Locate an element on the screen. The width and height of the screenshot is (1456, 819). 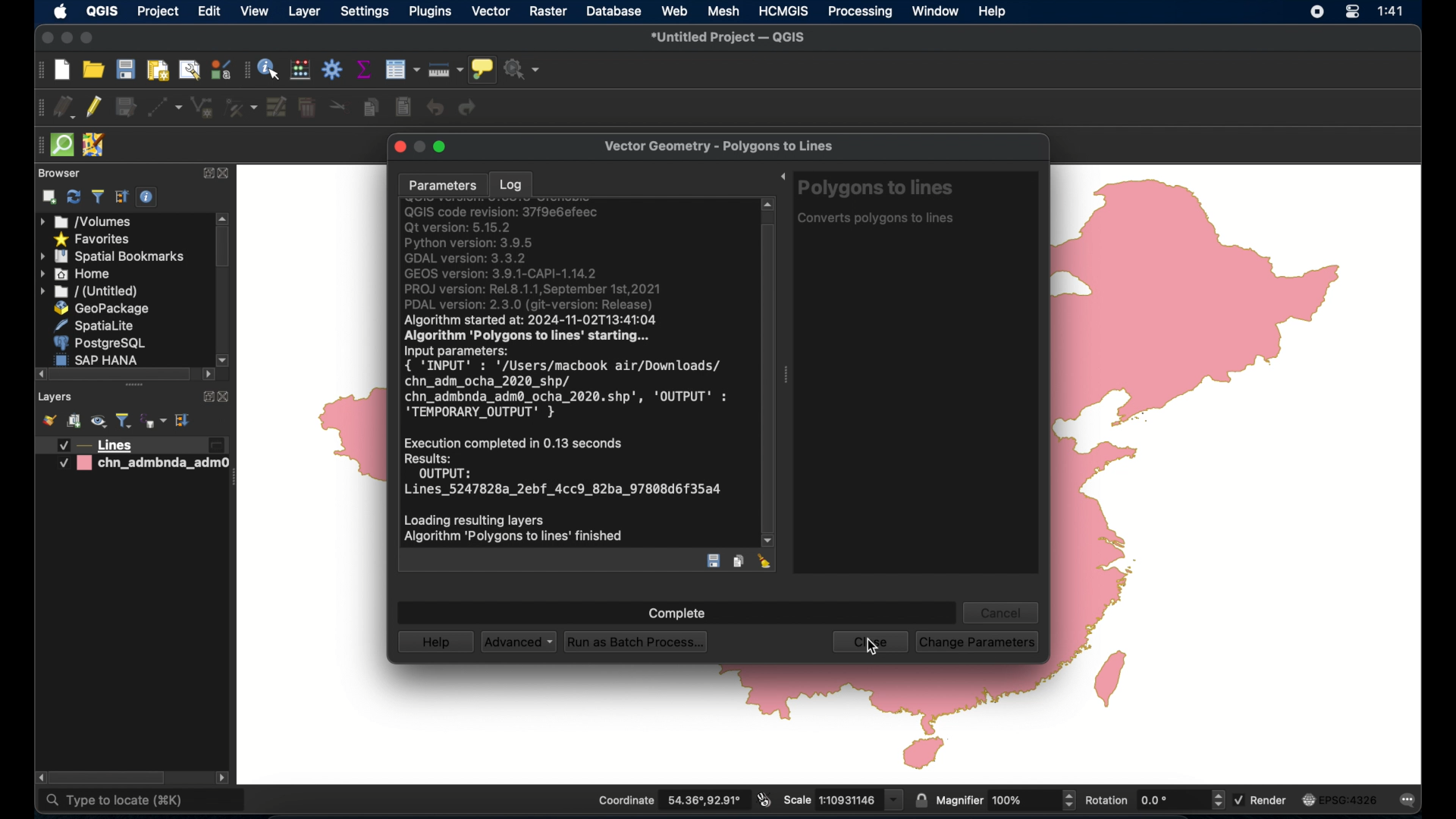
render is located at coordinates (1262, 800).